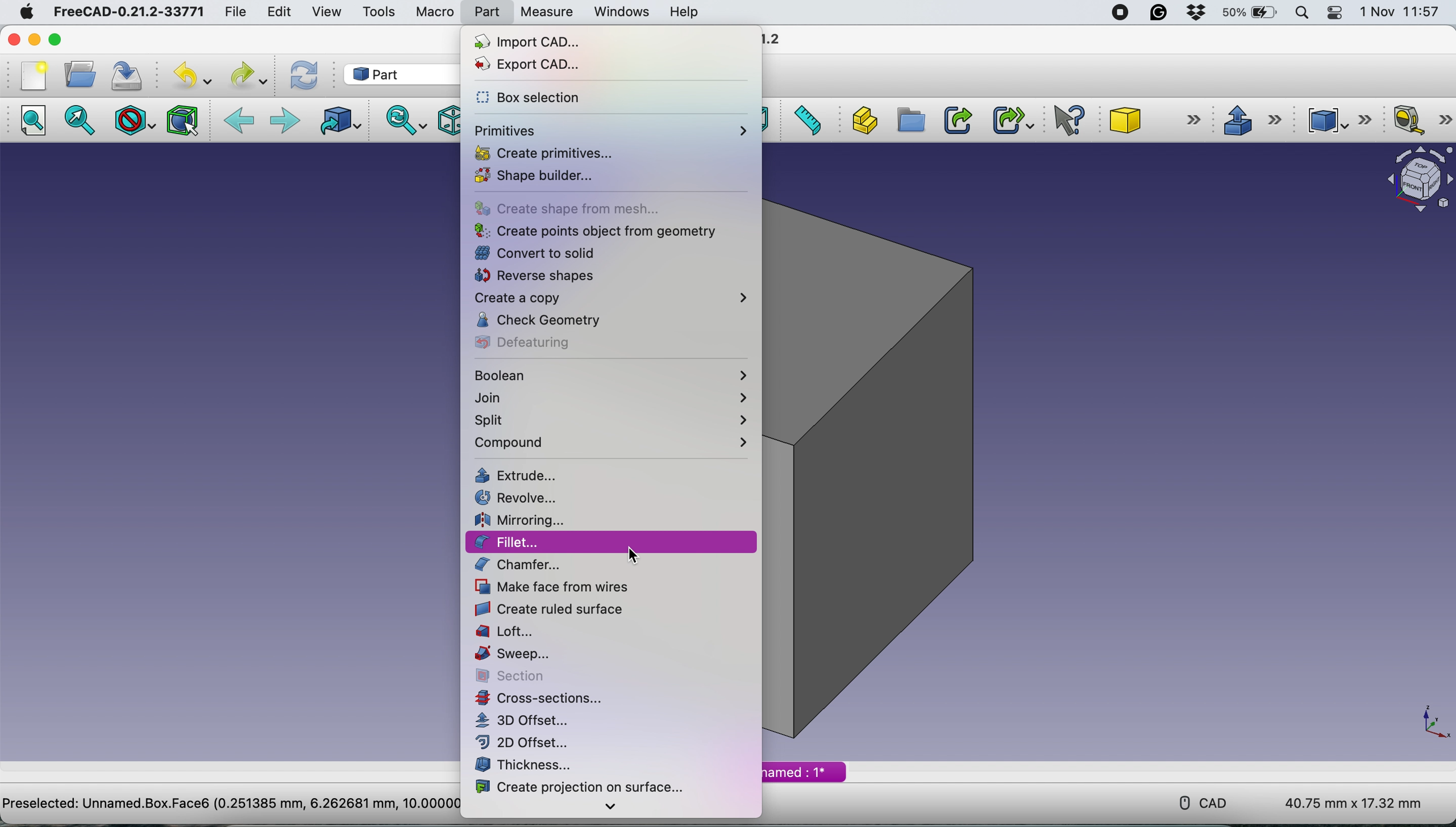  What do you see at coordinates (1301, 14) in the screenshot?
I see `spotlight search` at bounding box center [1301, 14].